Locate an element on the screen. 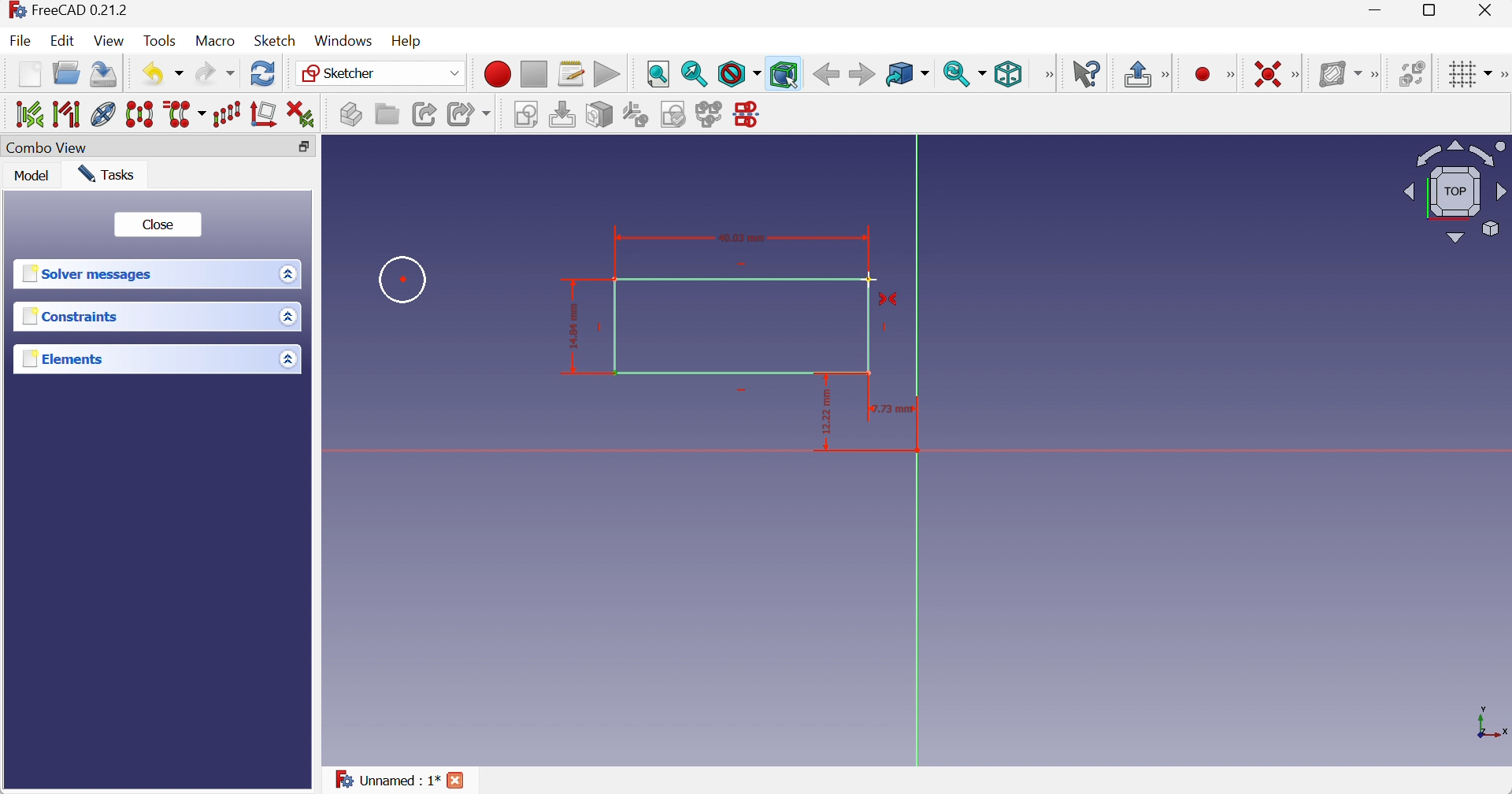  Switch virtual space is located at coordinates (1412, 73).